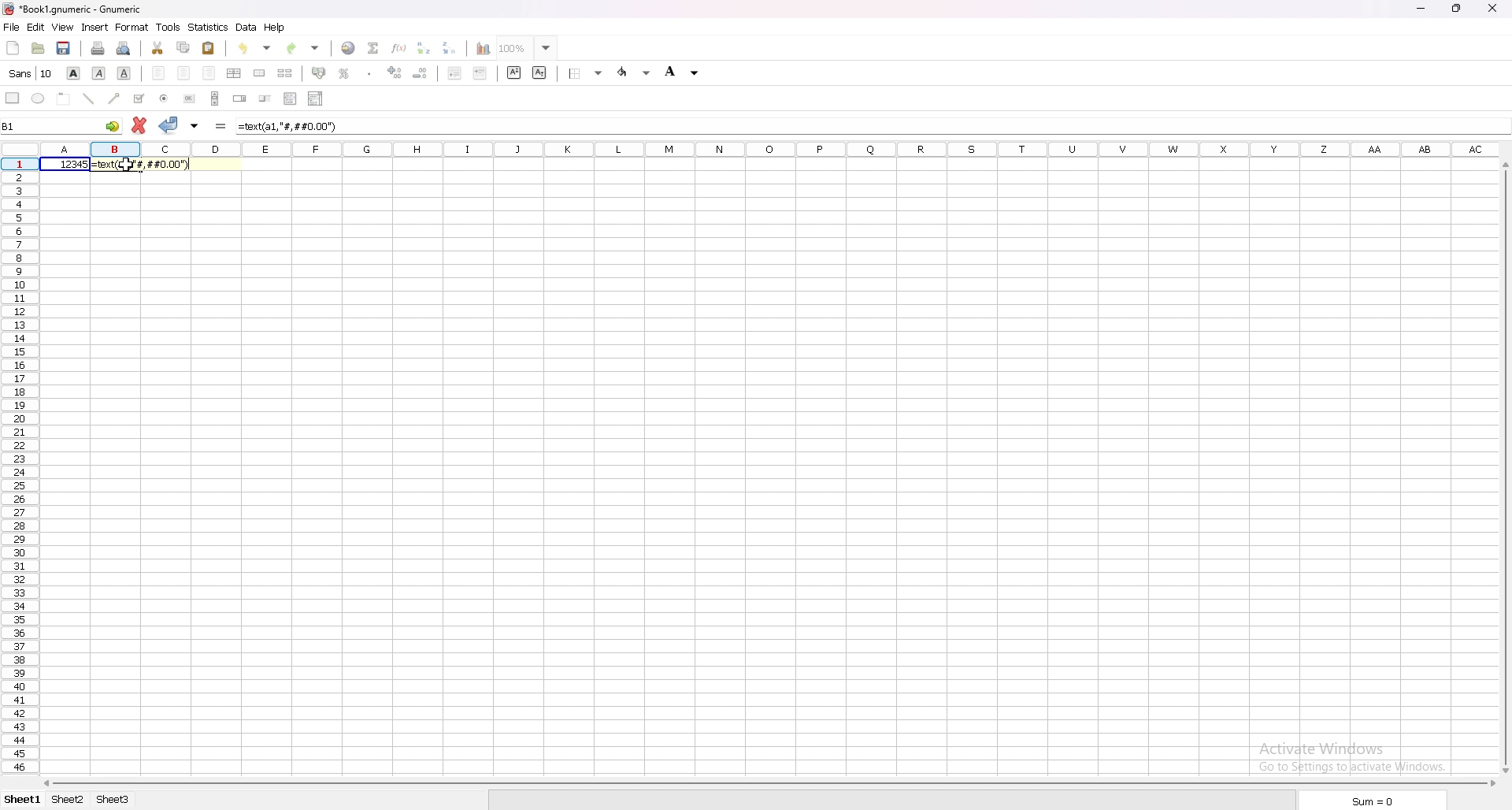 This screenshot has width=1512, height=810. I want to click on zoom, so click(528, 47).